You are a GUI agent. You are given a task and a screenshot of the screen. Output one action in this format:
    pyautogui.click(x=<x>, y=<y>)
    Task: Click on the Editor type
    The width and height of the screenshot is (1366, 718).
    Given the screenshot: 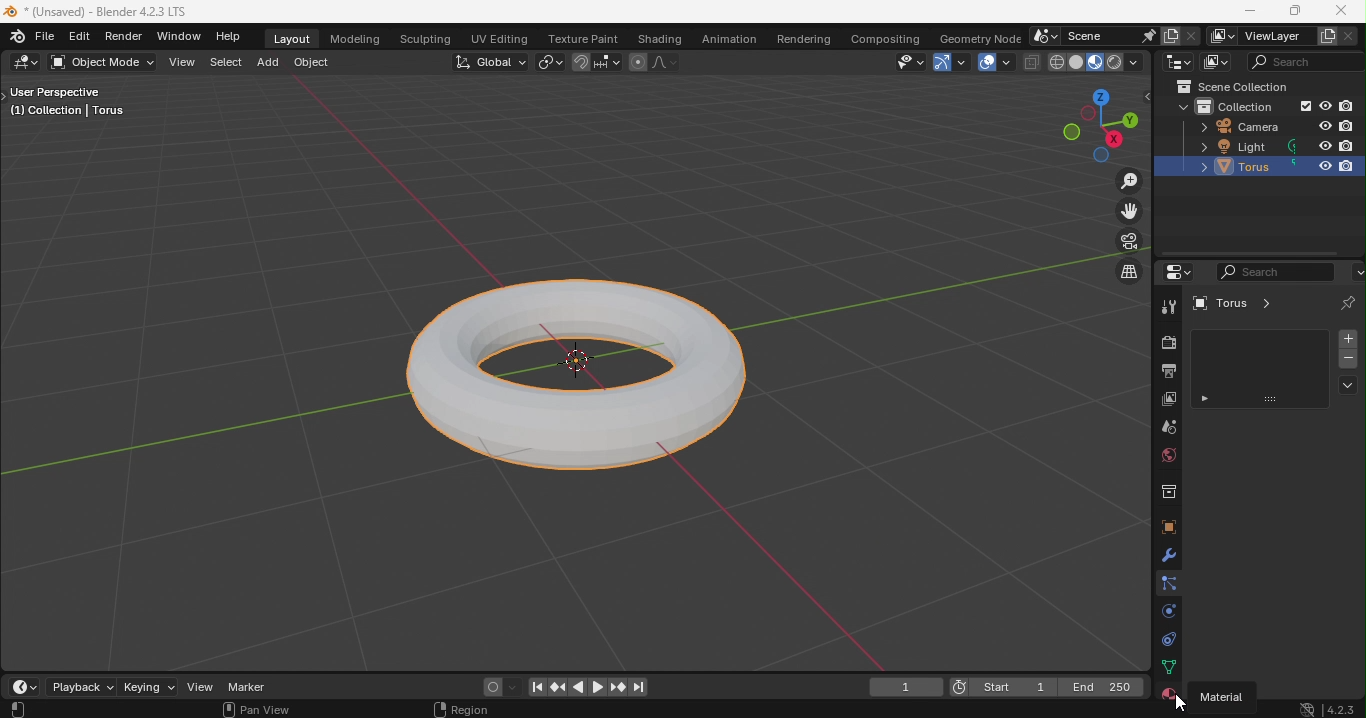 What is the action you would take?
    pyautogui.click(x=25, y=687)
    